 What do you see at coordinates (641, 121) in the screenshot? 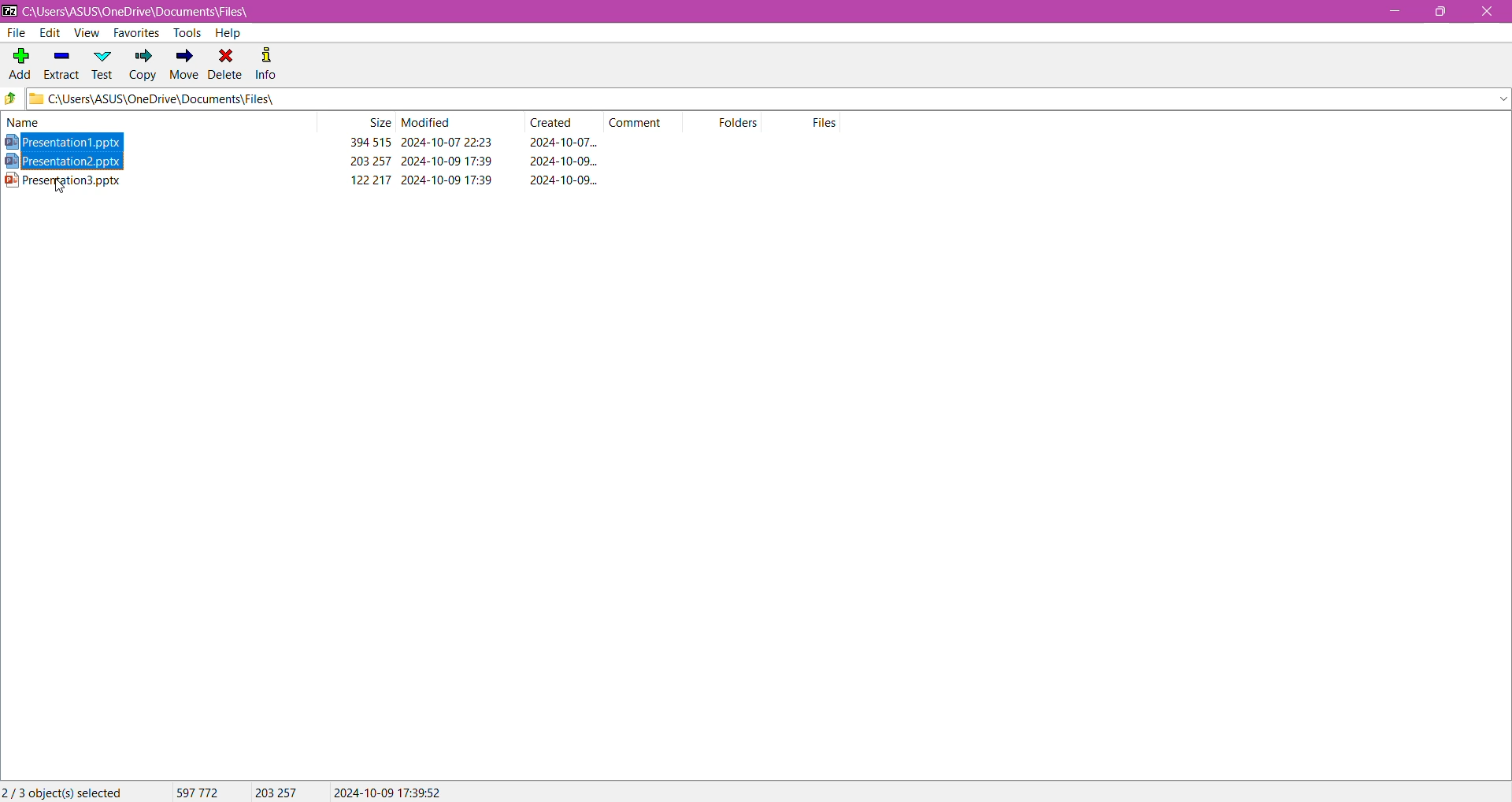
I see `Comment` at bounding box center [641, 121].